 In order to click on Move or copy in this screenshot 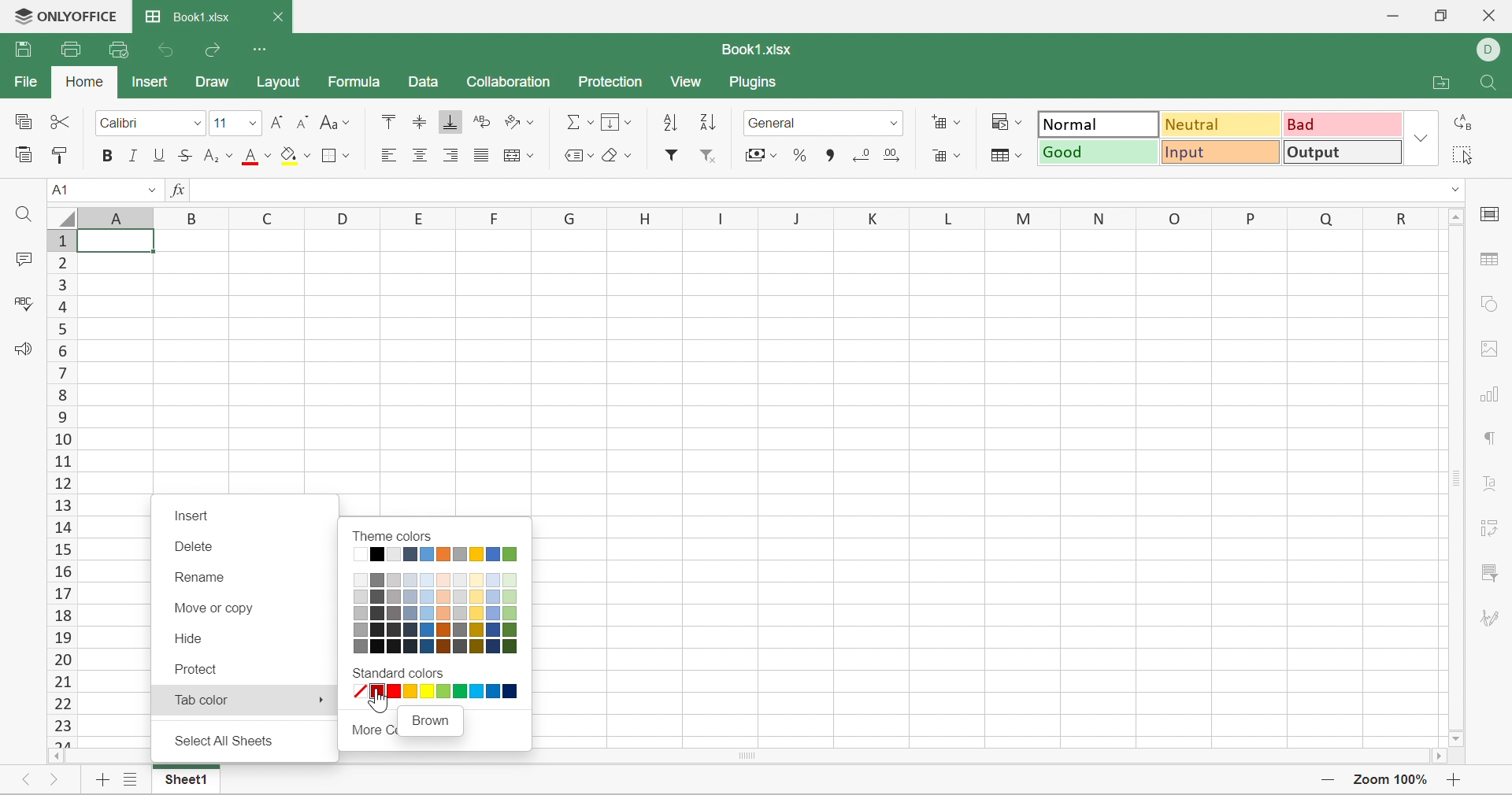, I will do `click(211, 608)`.